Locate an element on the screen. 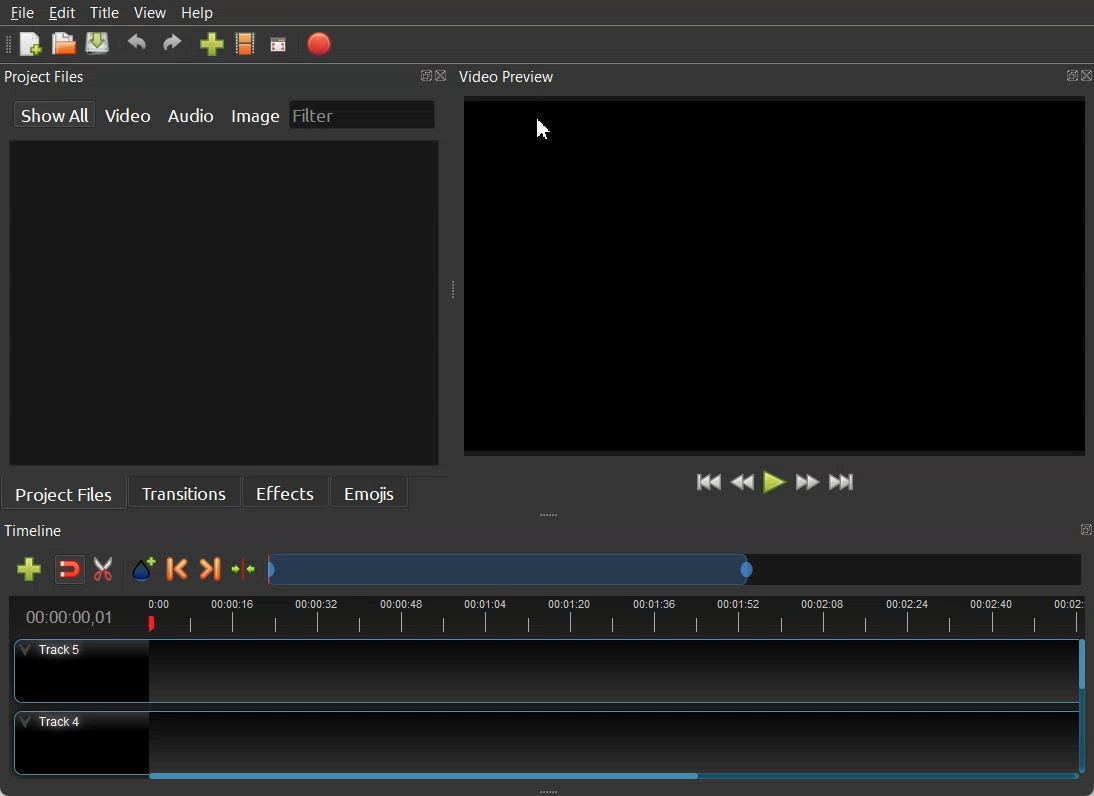  Video Preview is located at coordinates (508, 76).